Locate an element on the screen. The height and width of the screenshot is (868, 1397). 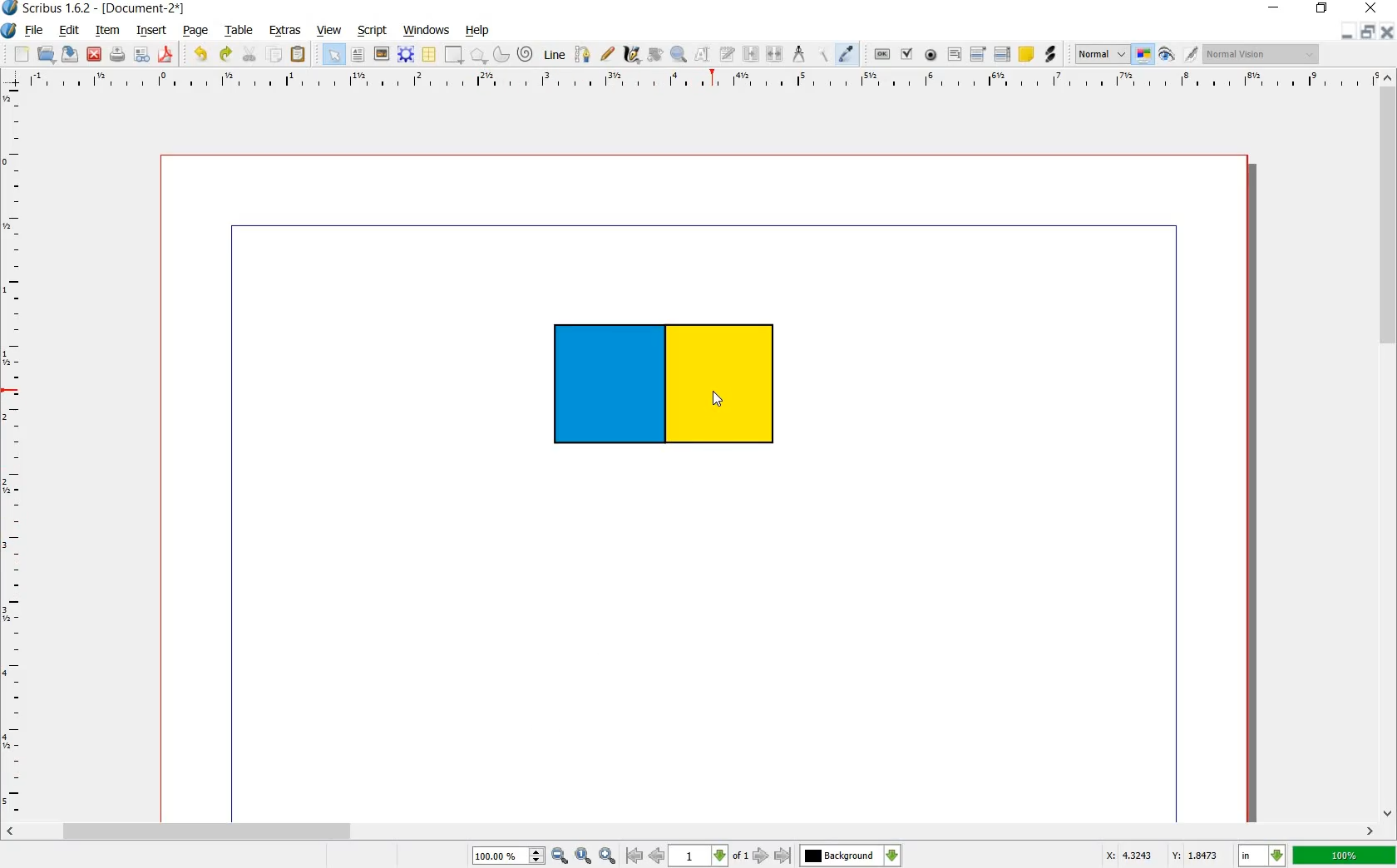
background is located at coordinates (852, 855).